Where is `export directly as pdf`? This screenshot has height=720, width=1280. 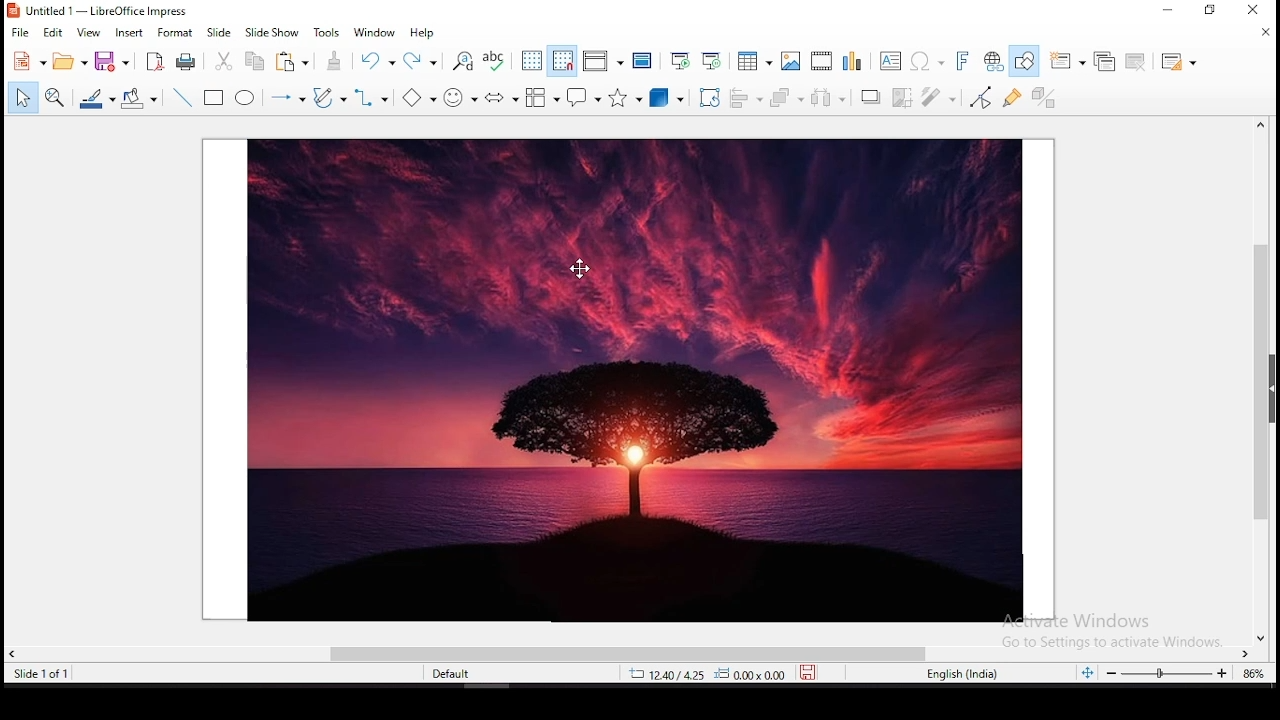
export directly as pdf is located at coordinates (152, 62).